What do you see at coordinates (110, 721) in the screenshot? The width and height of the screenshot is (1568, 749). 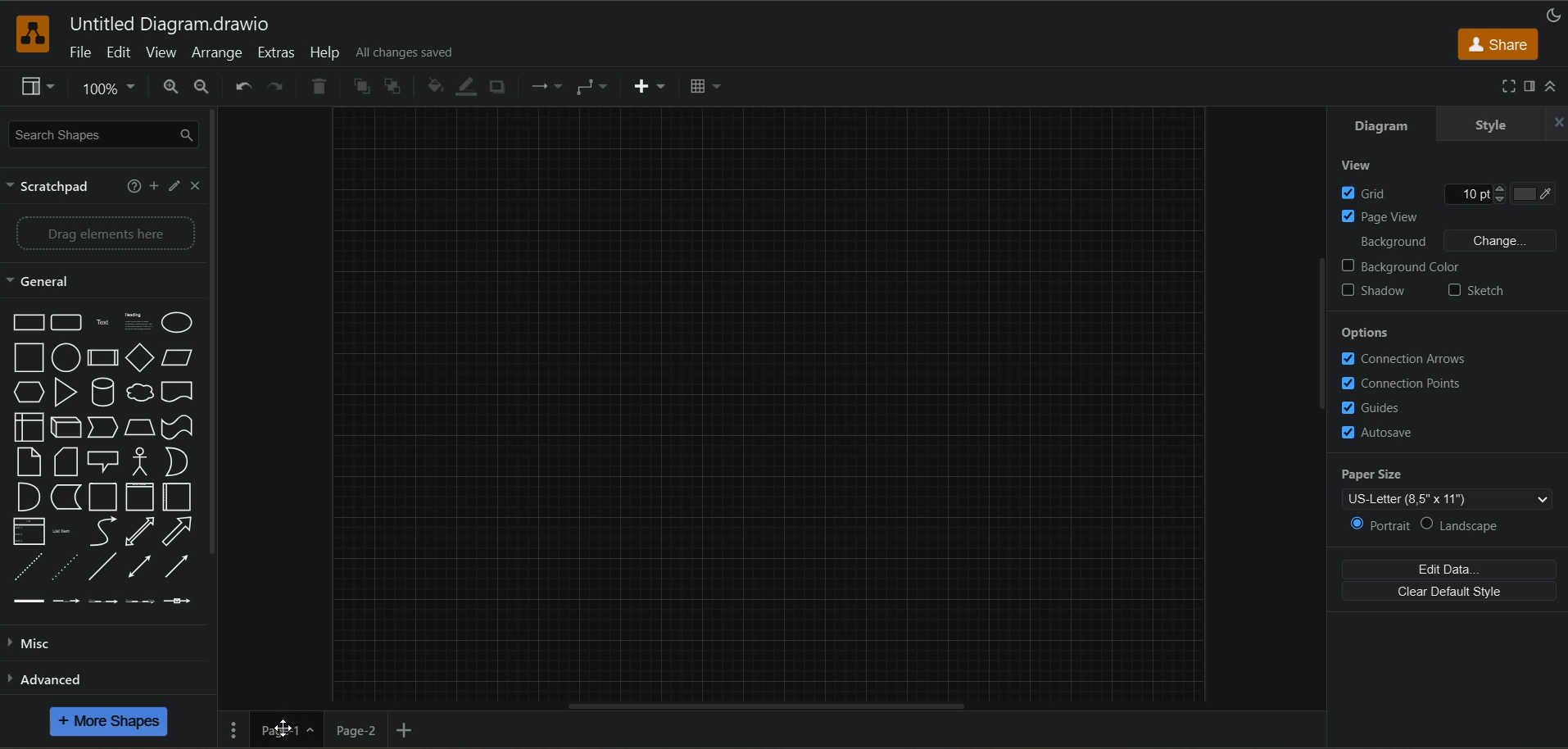 I see `more shapes` at bounding box center [110, 721].